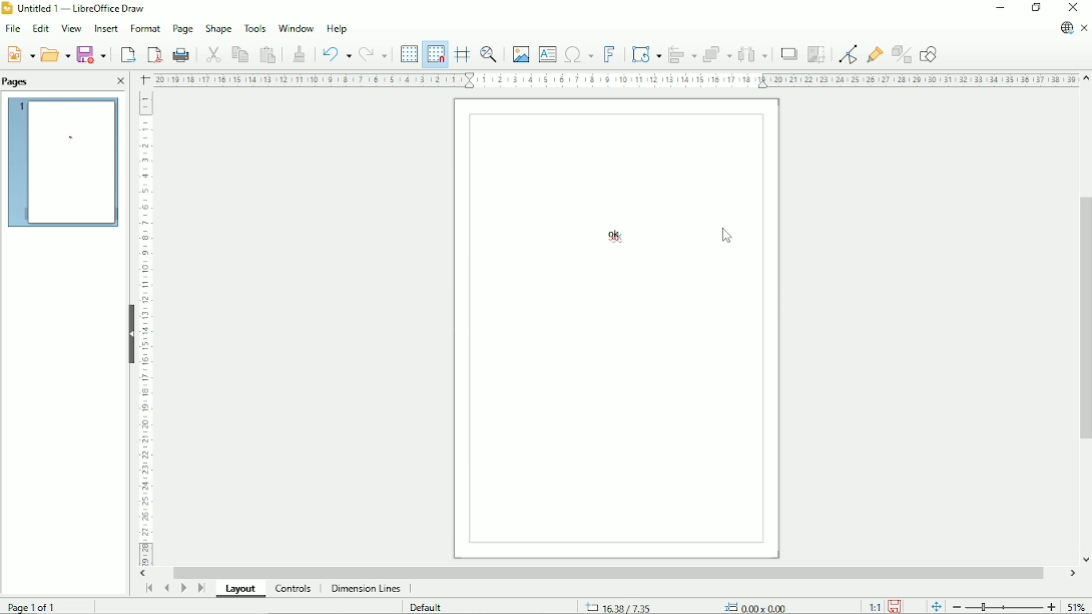  What do you see at coordinates (614, 79) in the screenshot?
I see `Horizontal scale` at bounding box center [614, 79].